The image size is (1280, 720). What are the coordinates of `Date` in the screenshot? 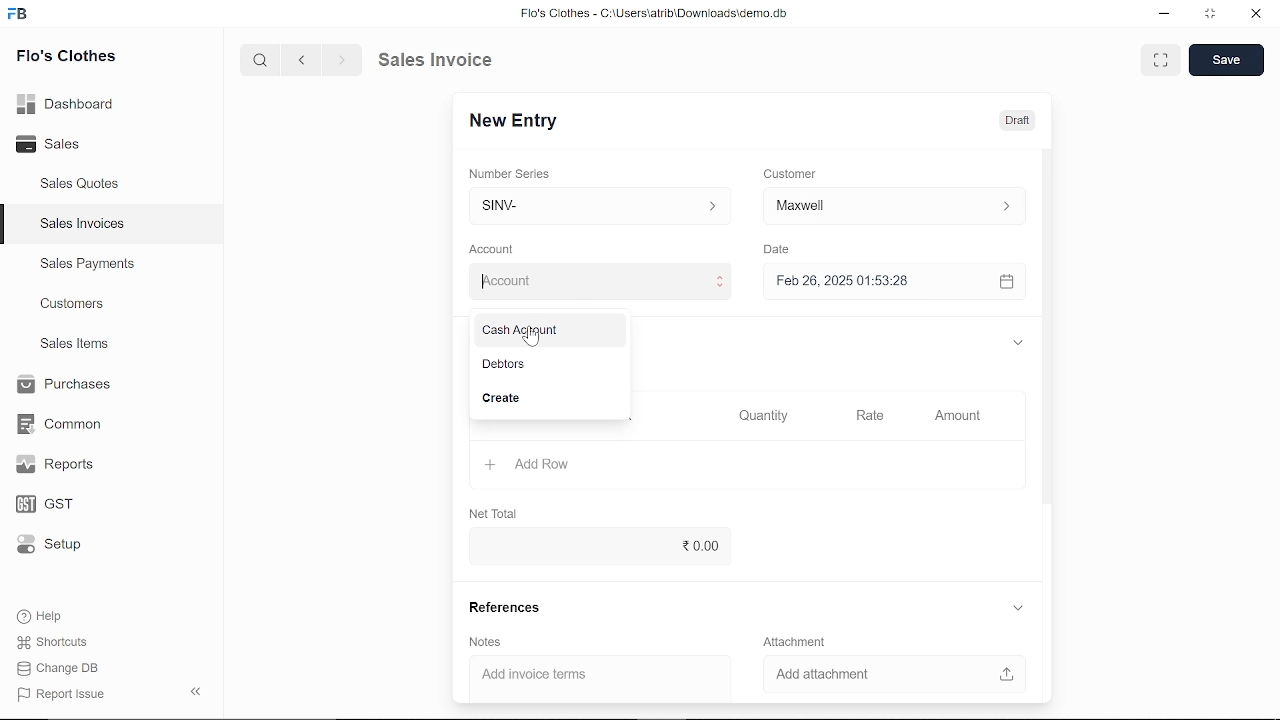 It's located at (776, 250).